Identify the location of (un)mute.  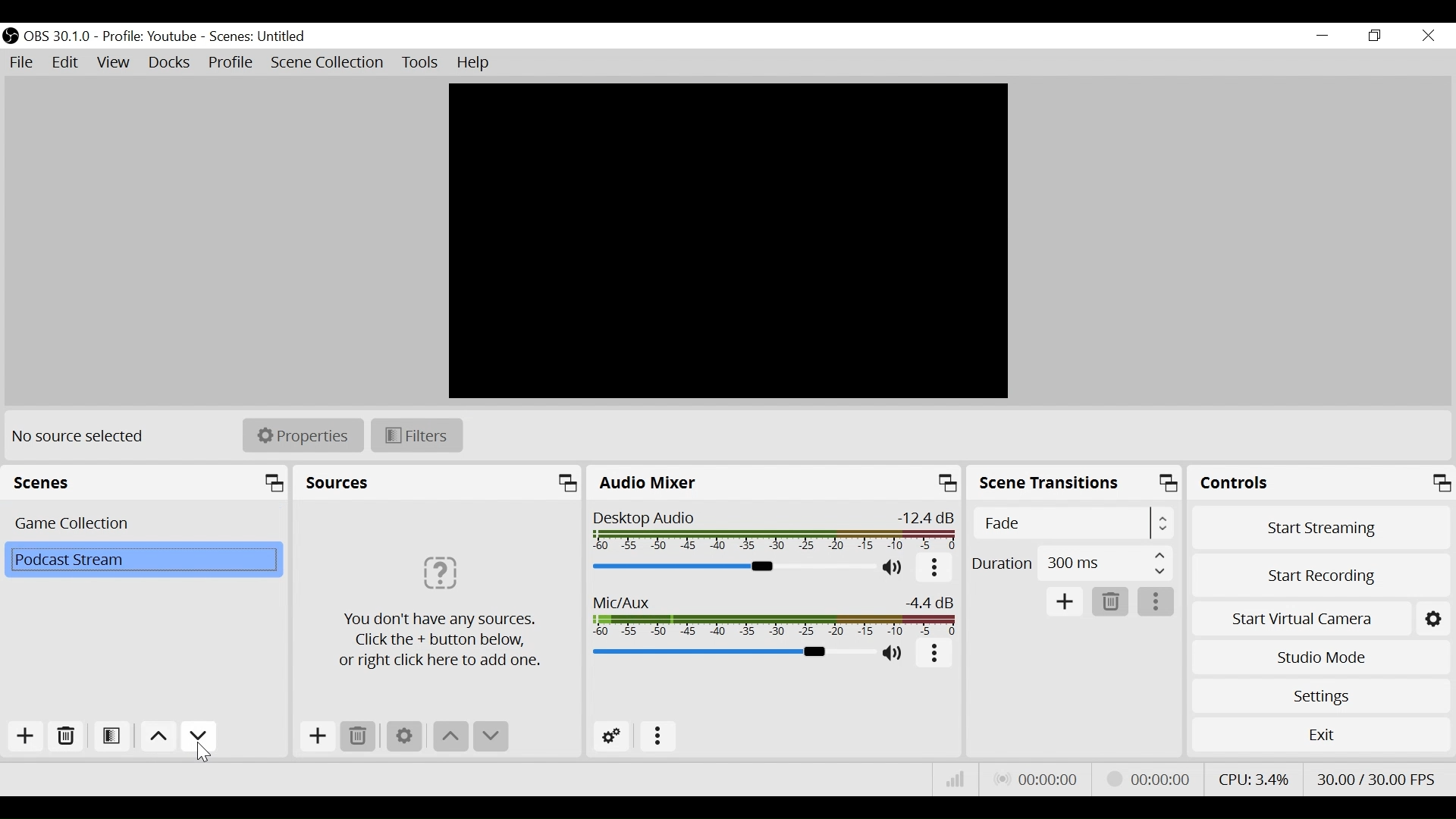
(893, 655).